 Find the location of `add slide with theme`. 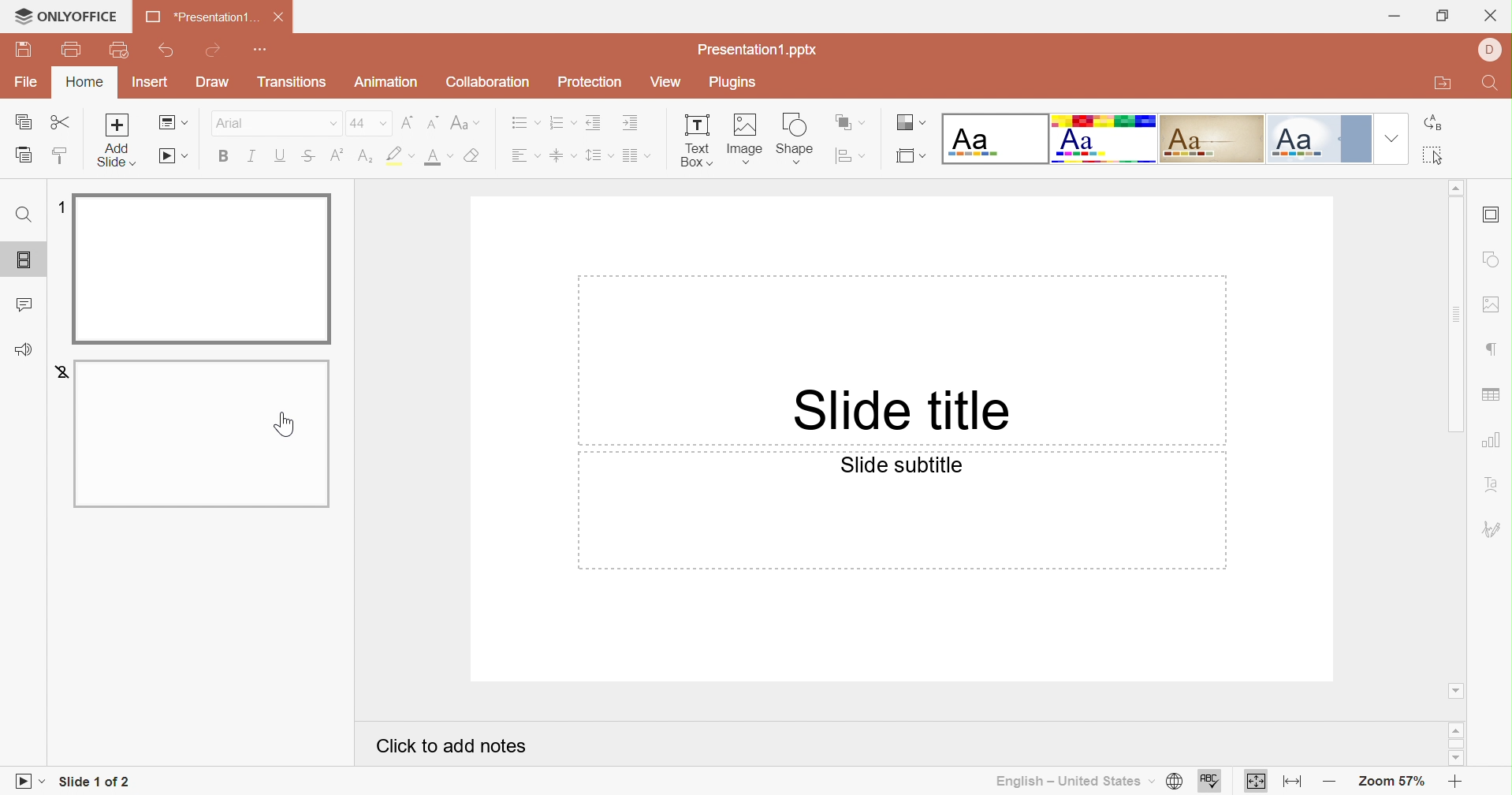

add slide with theme is located at coordinates (117, 155).